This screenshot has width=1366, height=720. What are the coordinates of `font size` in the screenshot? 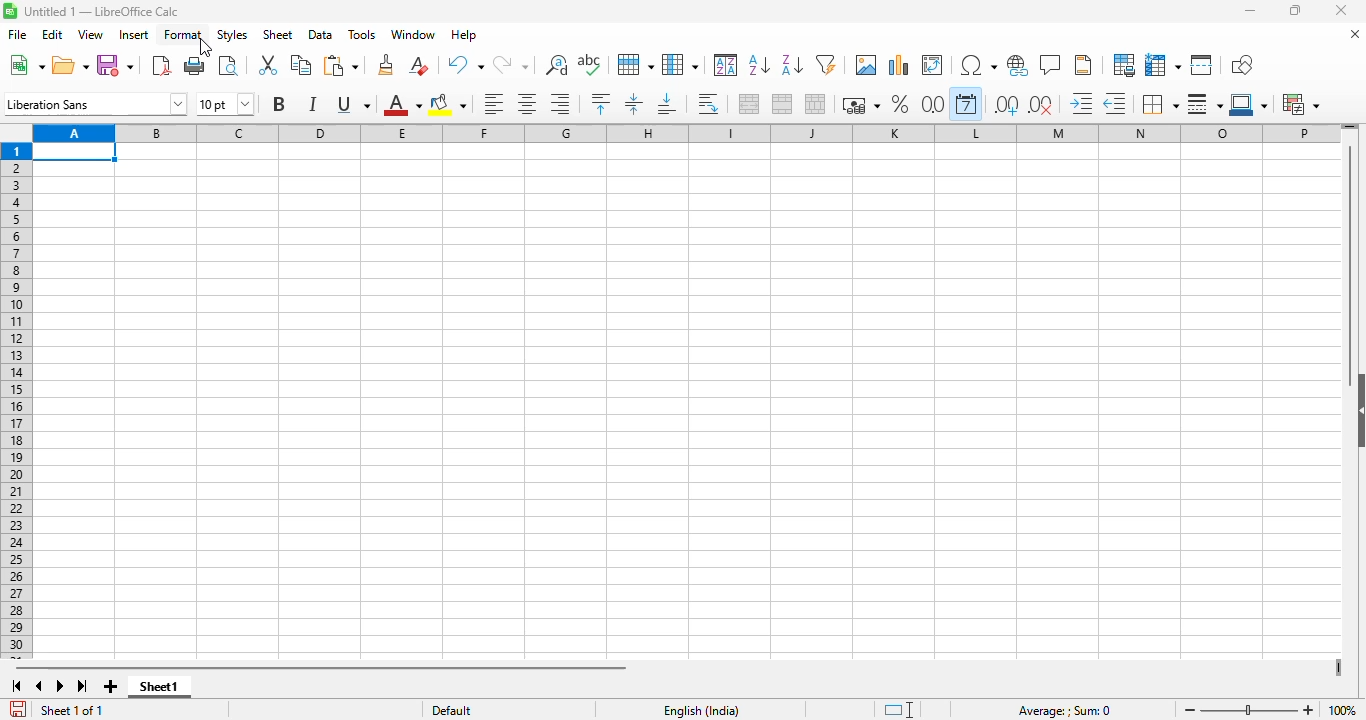 It's located at (226, 103).